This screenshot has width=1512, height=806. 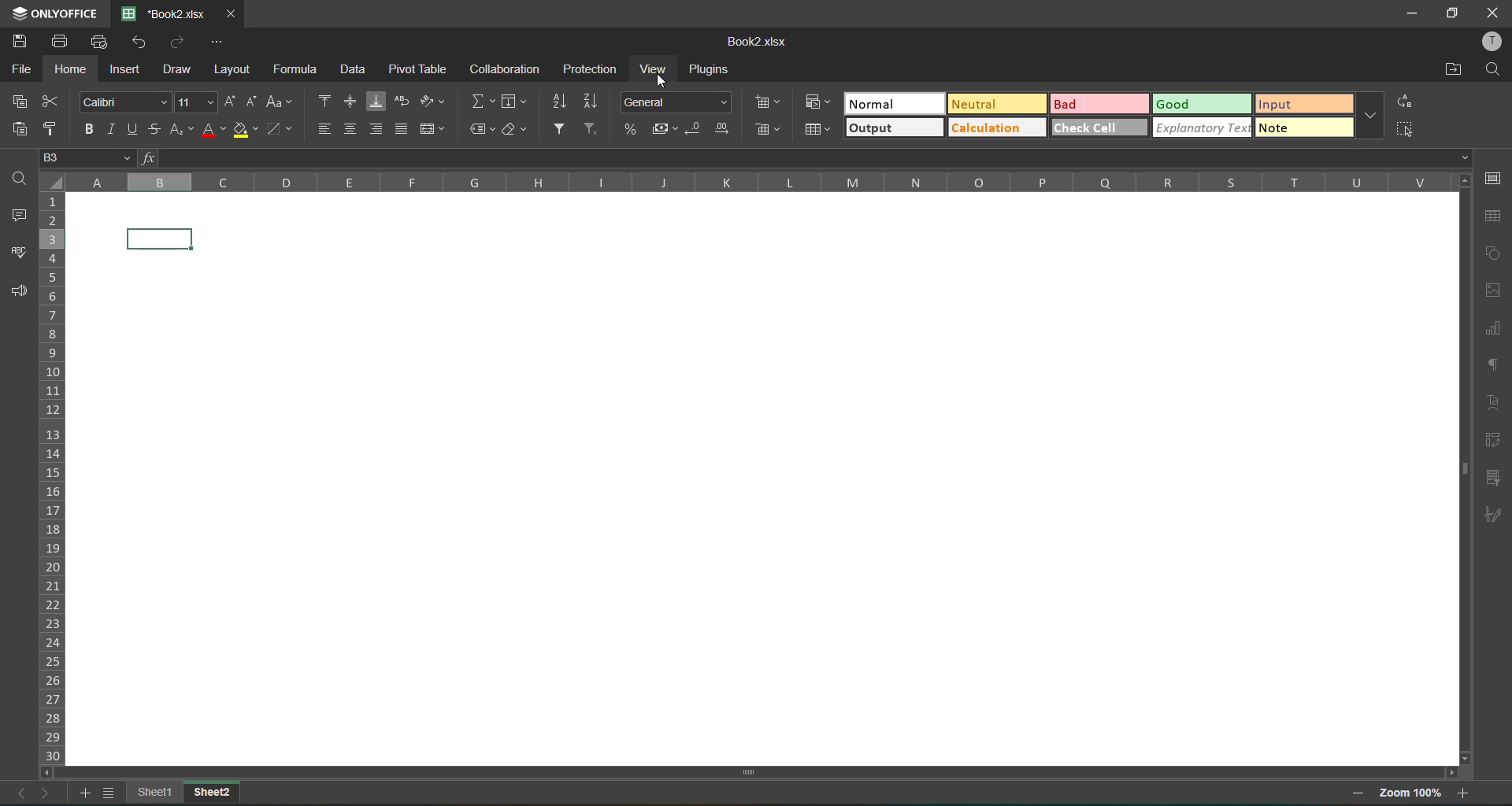 I want to click on percent, so click(x=633, y=129).